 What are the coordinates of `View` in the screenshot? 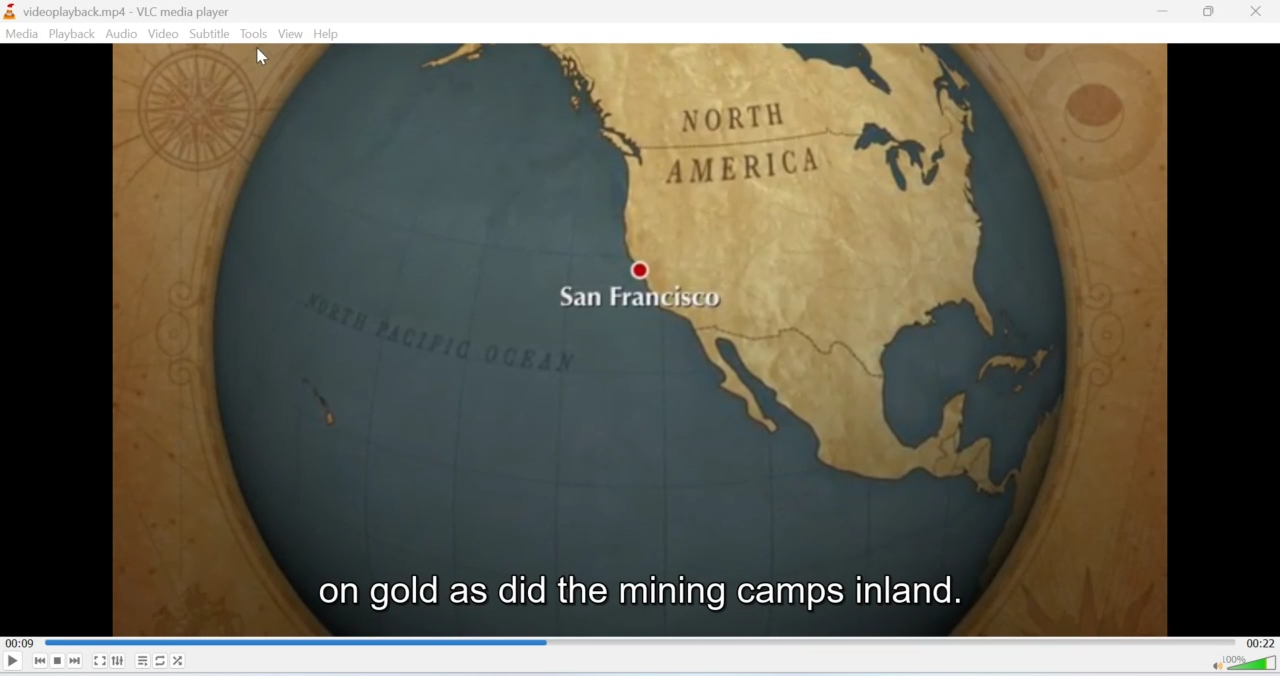 It's located at (292, 35).